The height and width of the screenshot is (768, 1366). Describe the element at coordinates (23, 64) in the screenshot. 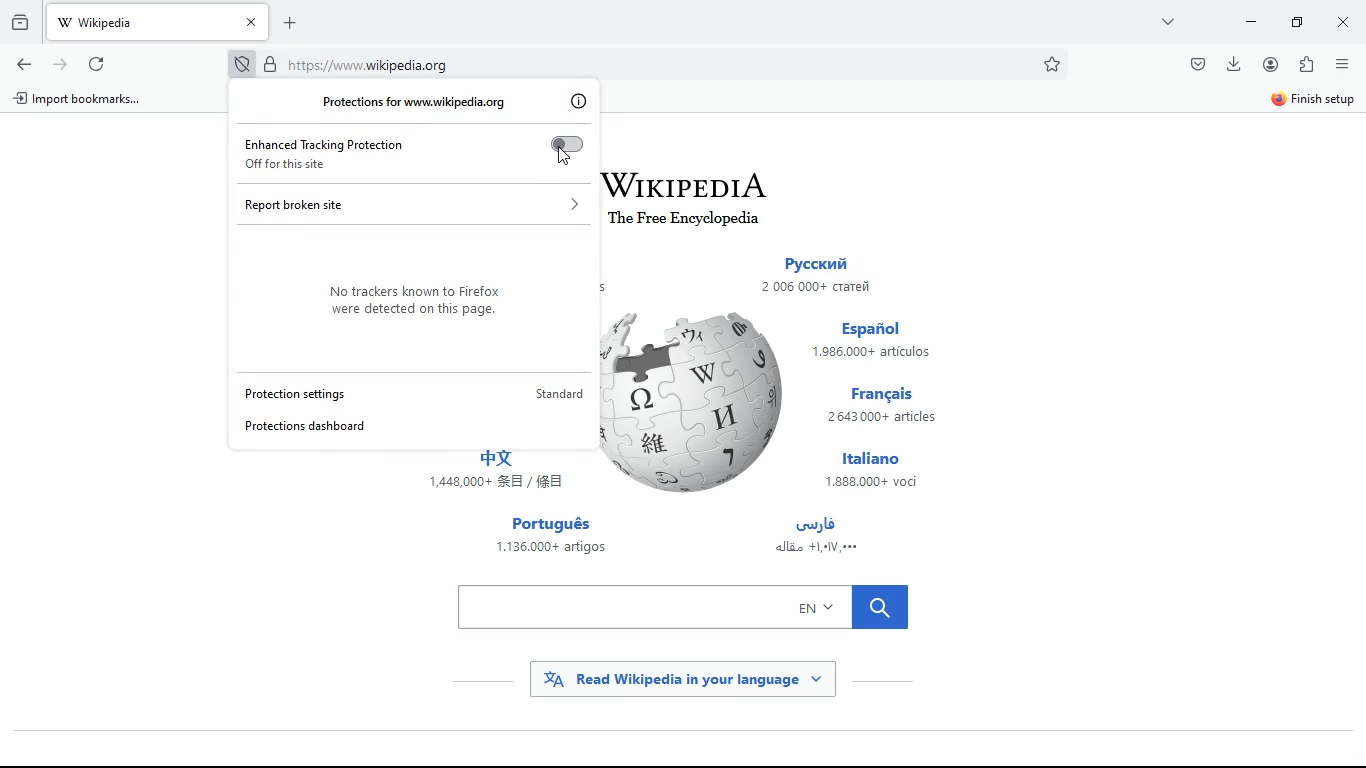

I see `back` at that location.